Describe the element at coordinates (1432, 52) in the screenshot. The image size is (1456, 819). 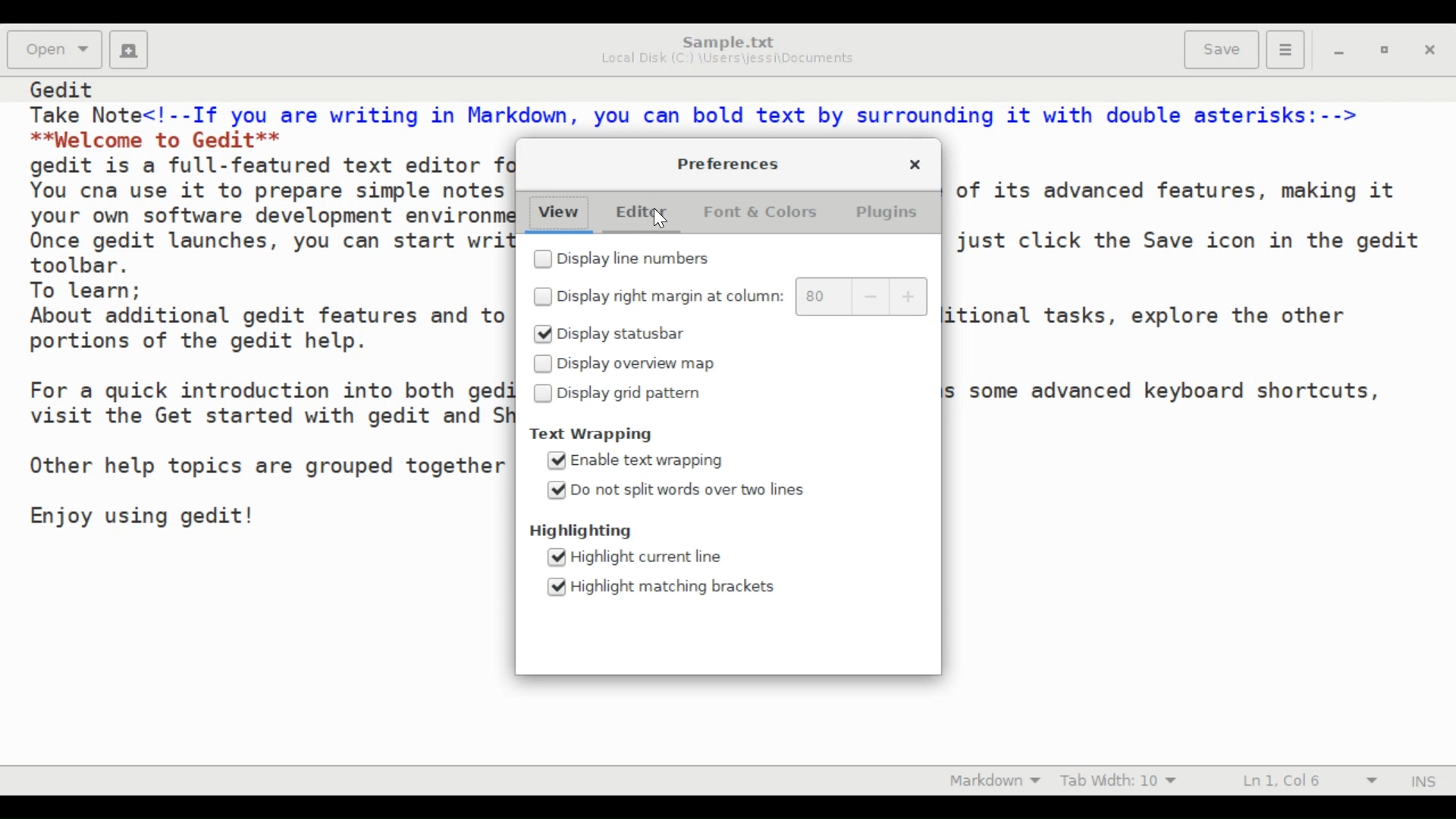
I see `Close` at that location.